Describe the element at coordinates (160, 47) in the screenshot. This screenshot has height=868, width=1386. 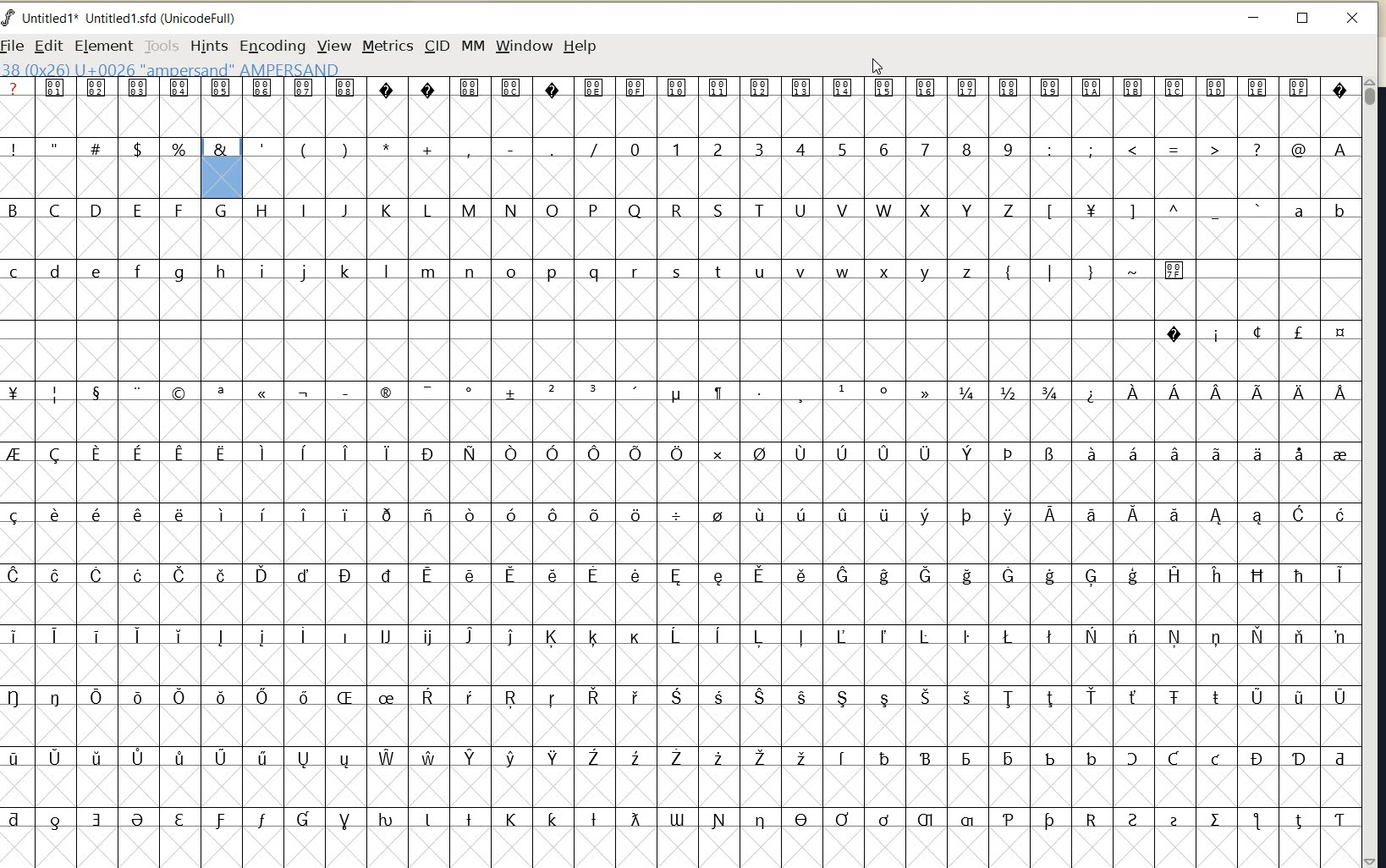
I see `TOOLS` at that location.